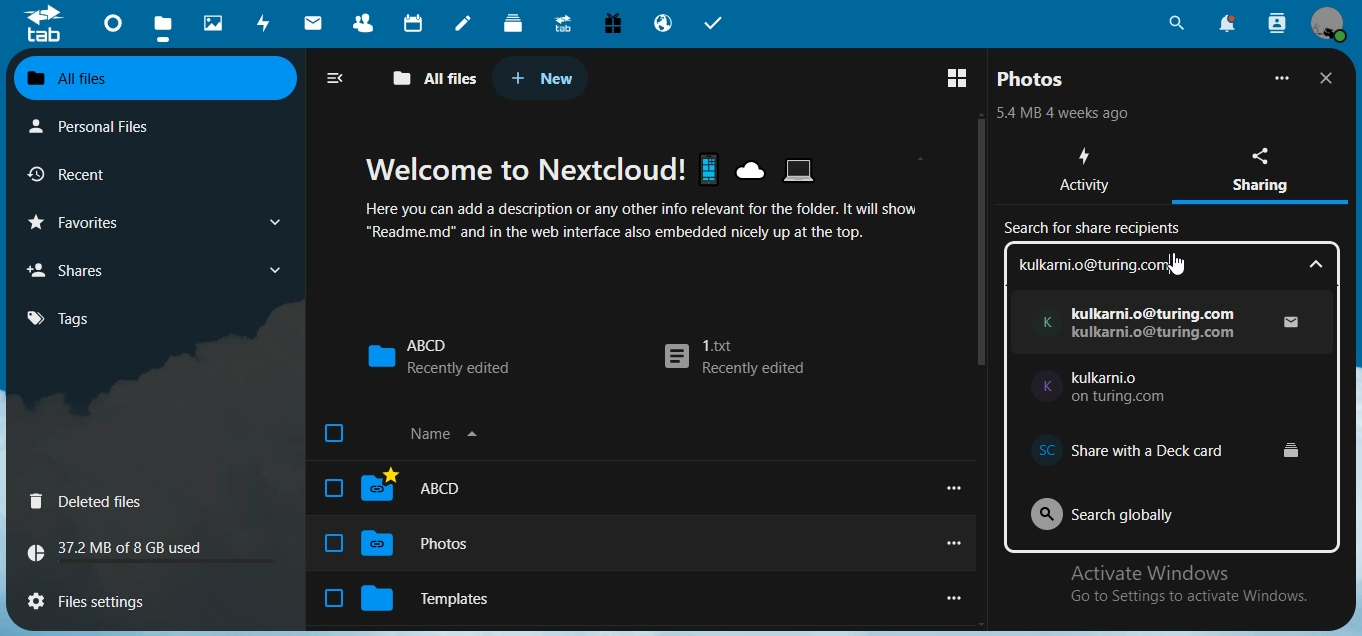 The width and height of the screenshot is (1362, 636). Describe the element at coordinates (70, 318) in the screenshot. I see `tags` at that location.